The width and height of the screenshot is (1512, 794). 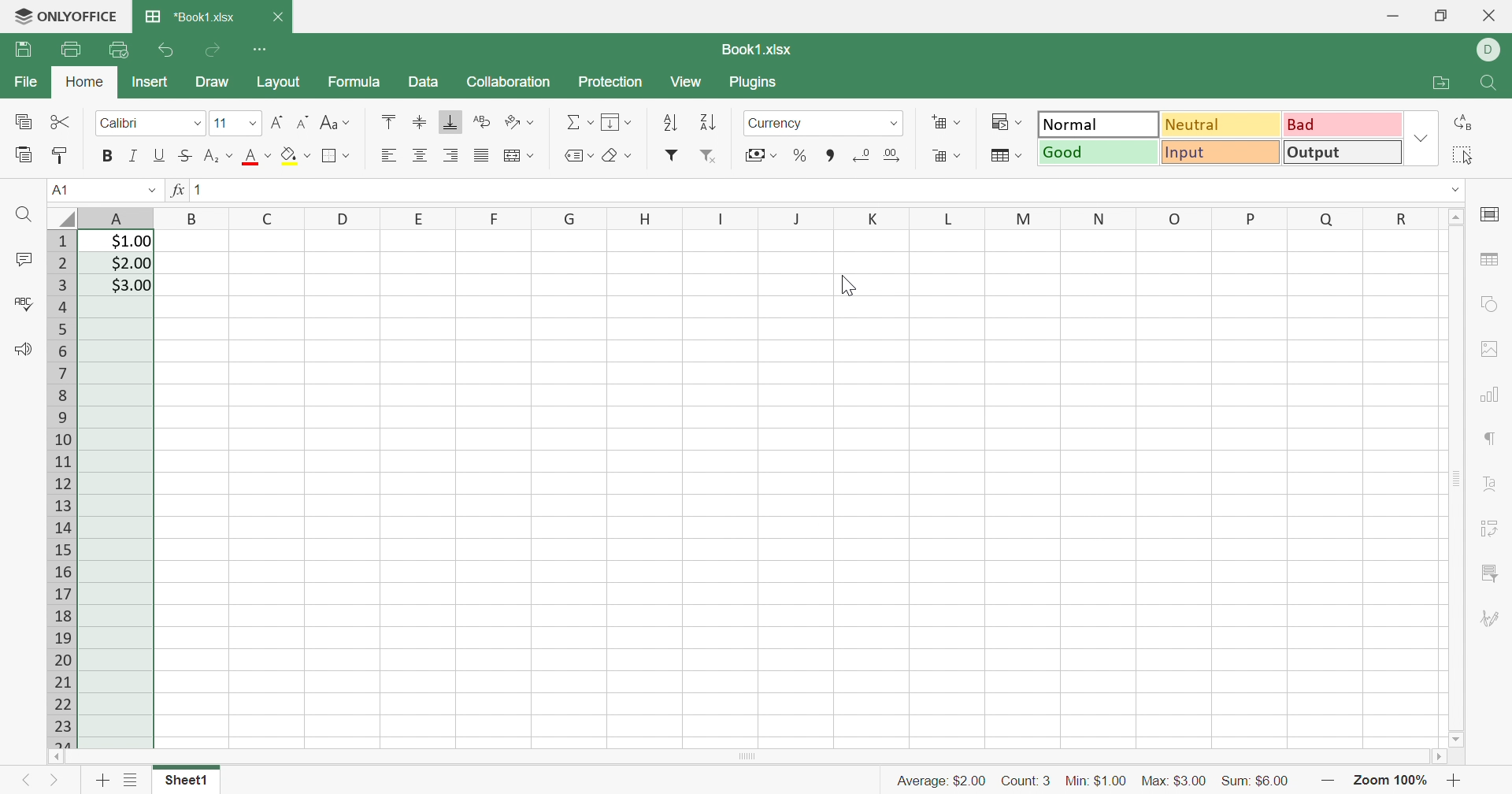 What do you see at coordinates (576, 155) in the screenshot?
I see `Named ranges` at bounding box center [576, 155].